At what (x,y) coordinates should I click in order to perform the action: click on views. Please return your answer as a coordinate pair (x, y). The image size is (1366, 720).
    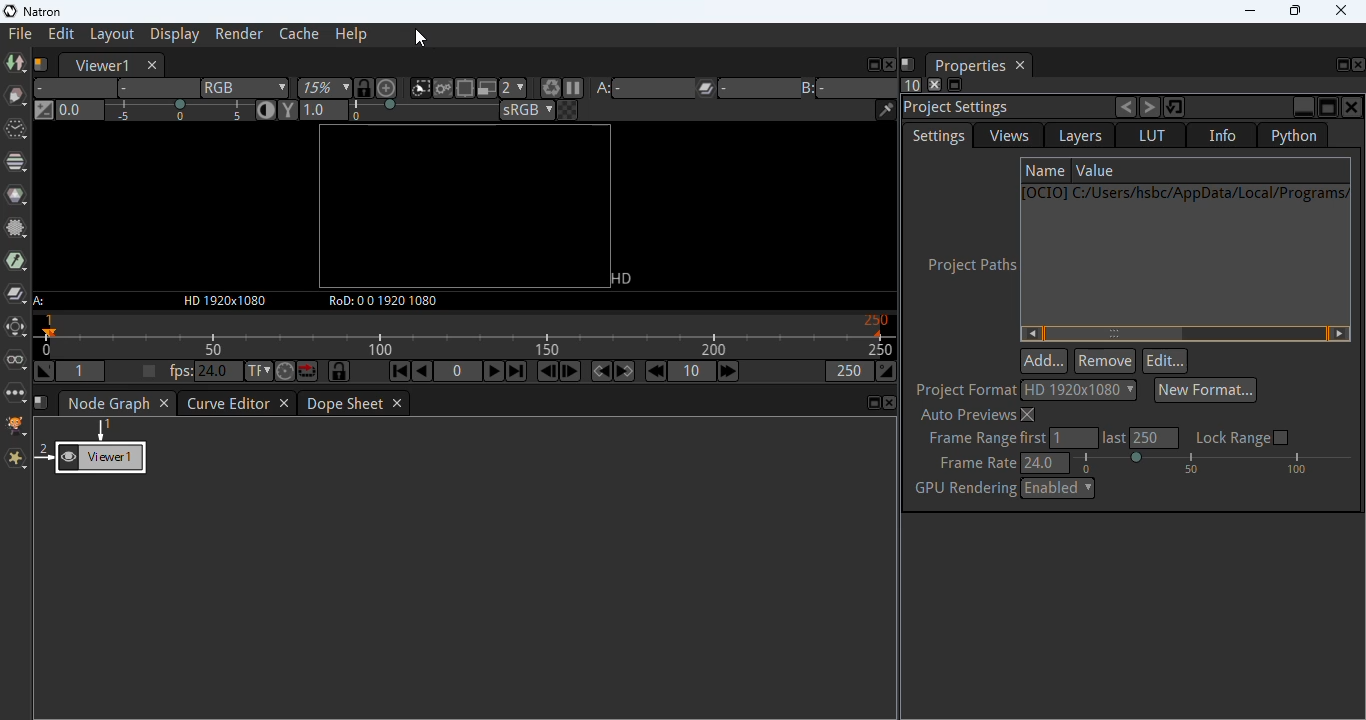
    Looking at the image, I should click on (15, 359).